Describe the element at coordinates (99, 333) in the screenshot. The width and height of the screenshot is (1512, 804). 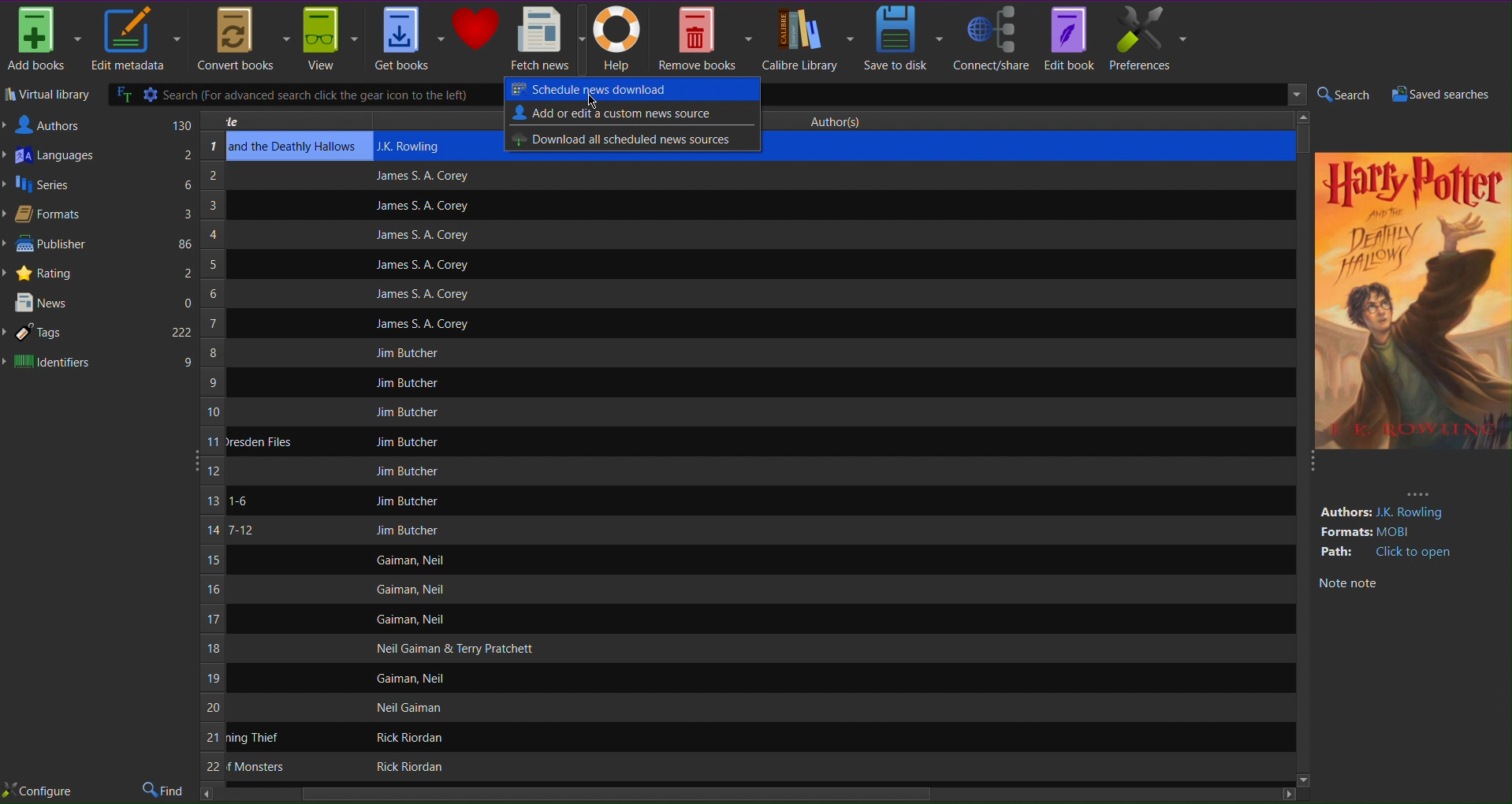
I see `Tags` at that location.